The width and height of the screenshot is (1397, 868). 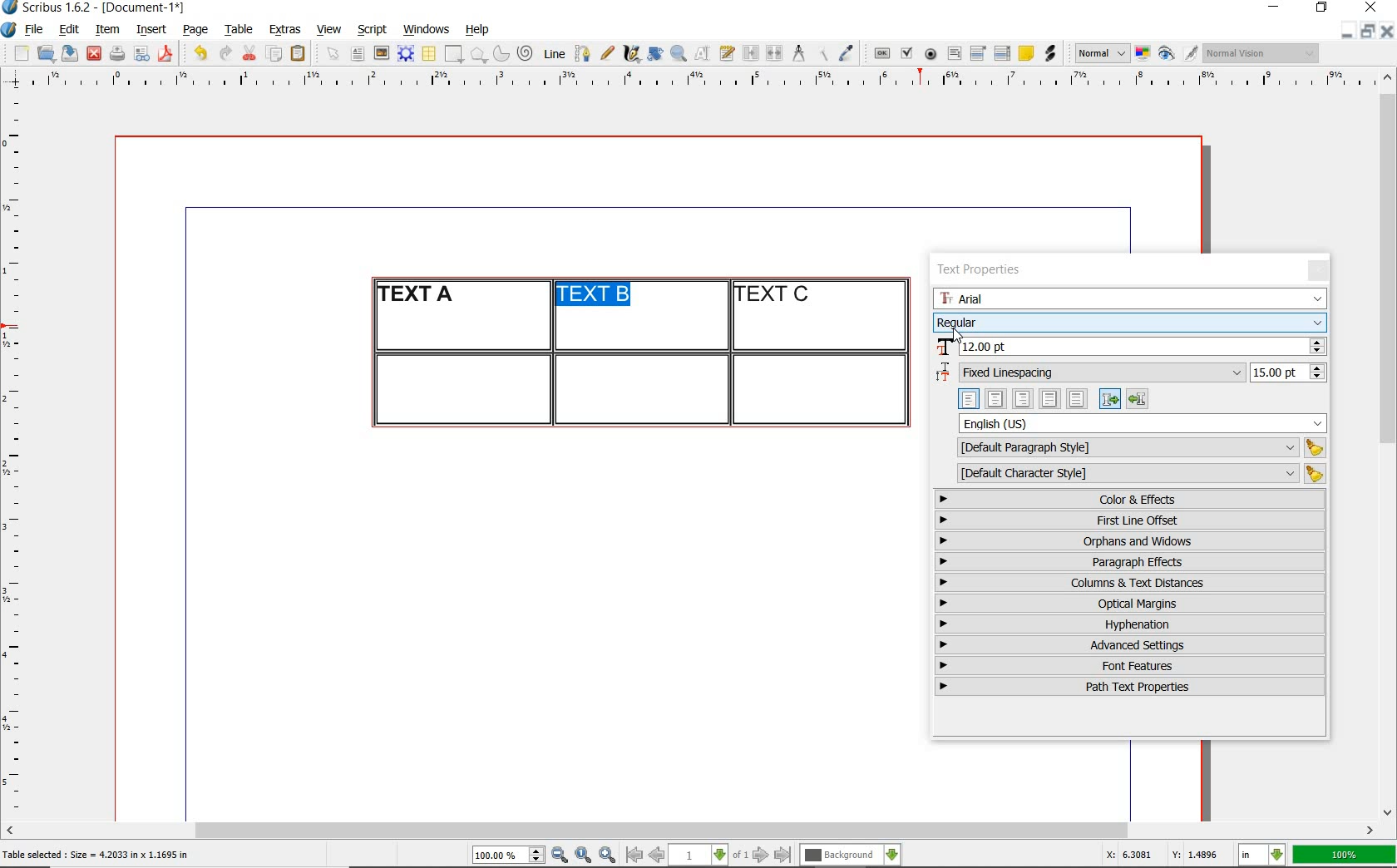 I want to click on image frame, so click(x=383, y=53).